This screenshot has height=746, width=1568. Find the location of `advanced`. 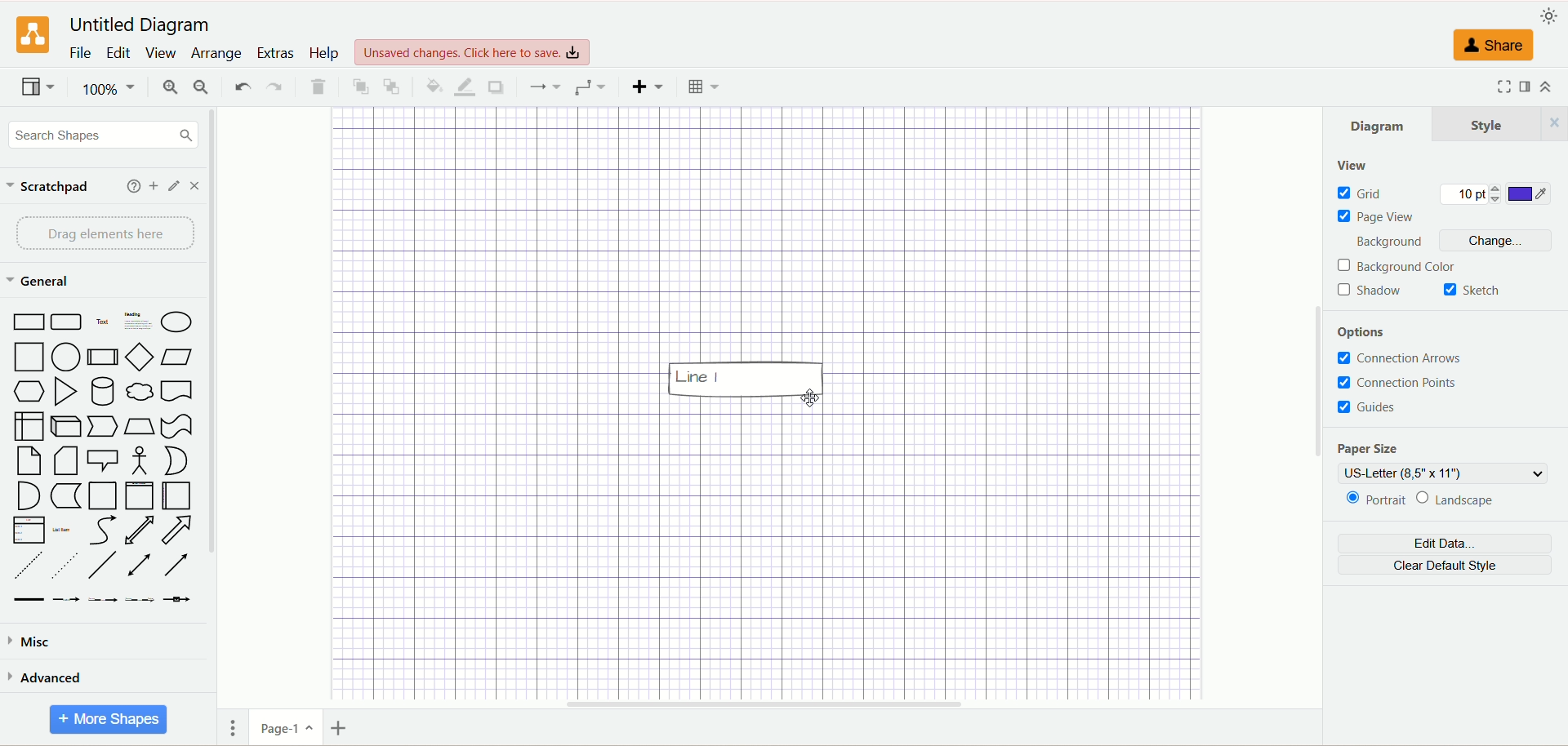

advanced is located at coordinates (50, 676).